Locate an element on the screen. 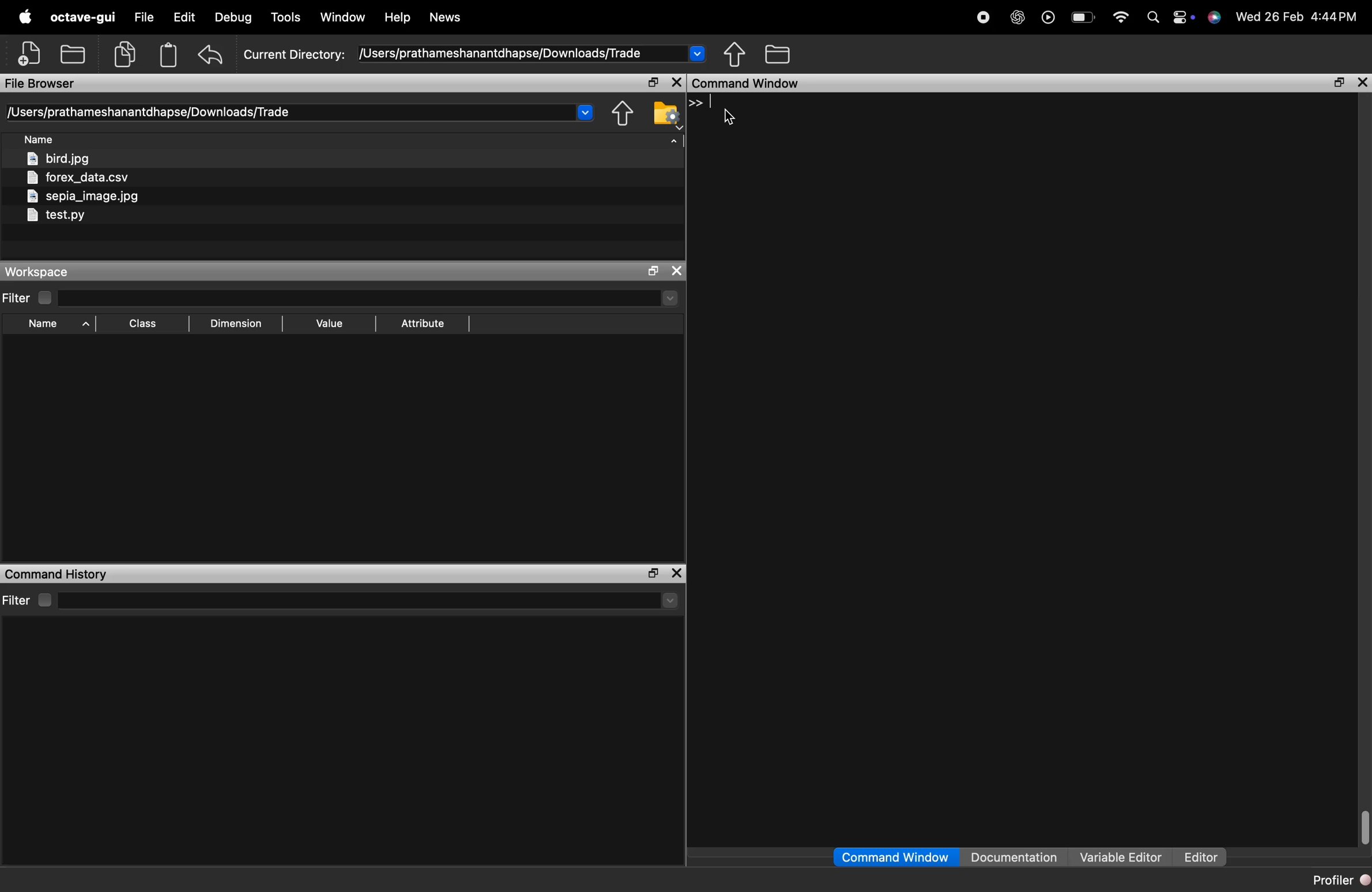 This screenshot has width=1372, height=892. sepia_image.jpg is located at coordinates (84, 196).